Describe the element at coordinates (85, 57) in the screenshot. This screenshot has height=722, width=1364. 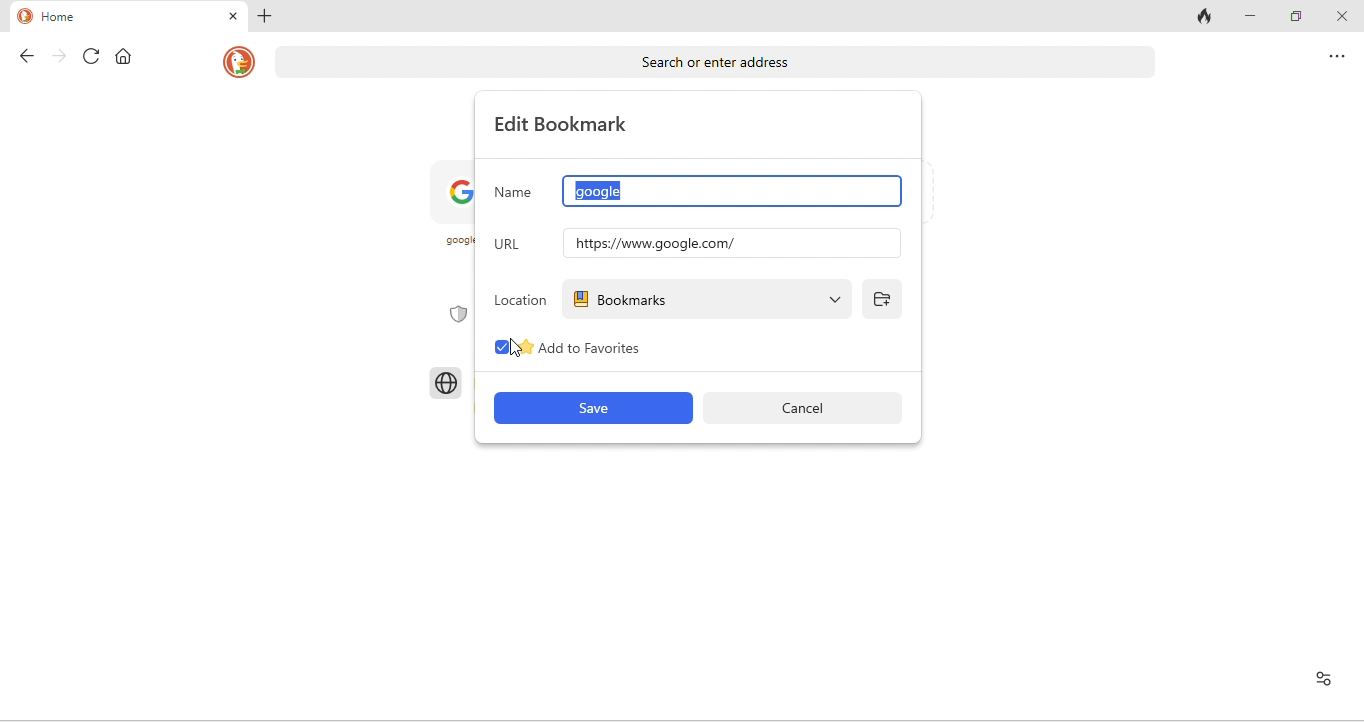
I see `refresh` at that location.